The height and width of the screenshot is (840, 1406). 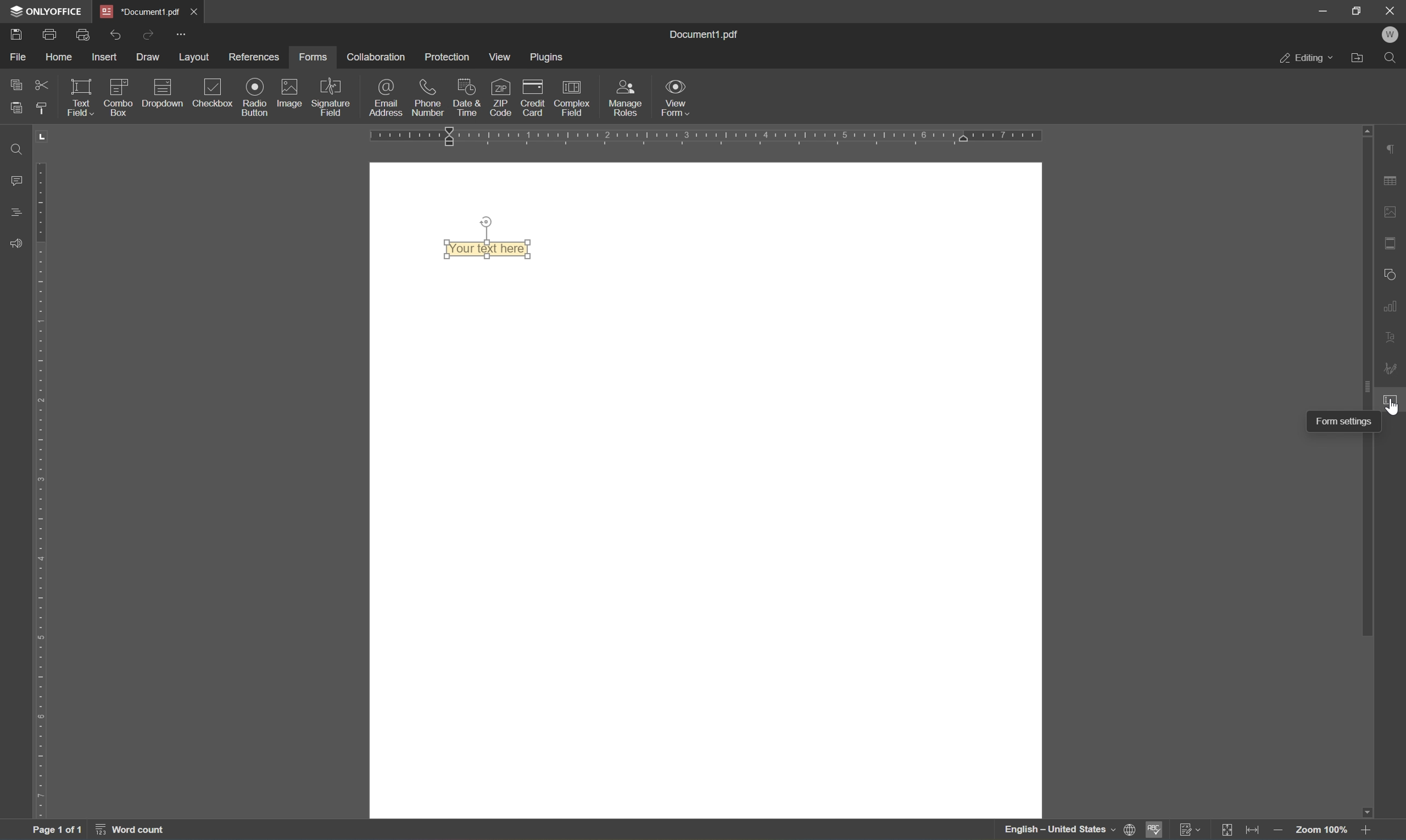 I want to click on comments, so click(x=17, y=181).